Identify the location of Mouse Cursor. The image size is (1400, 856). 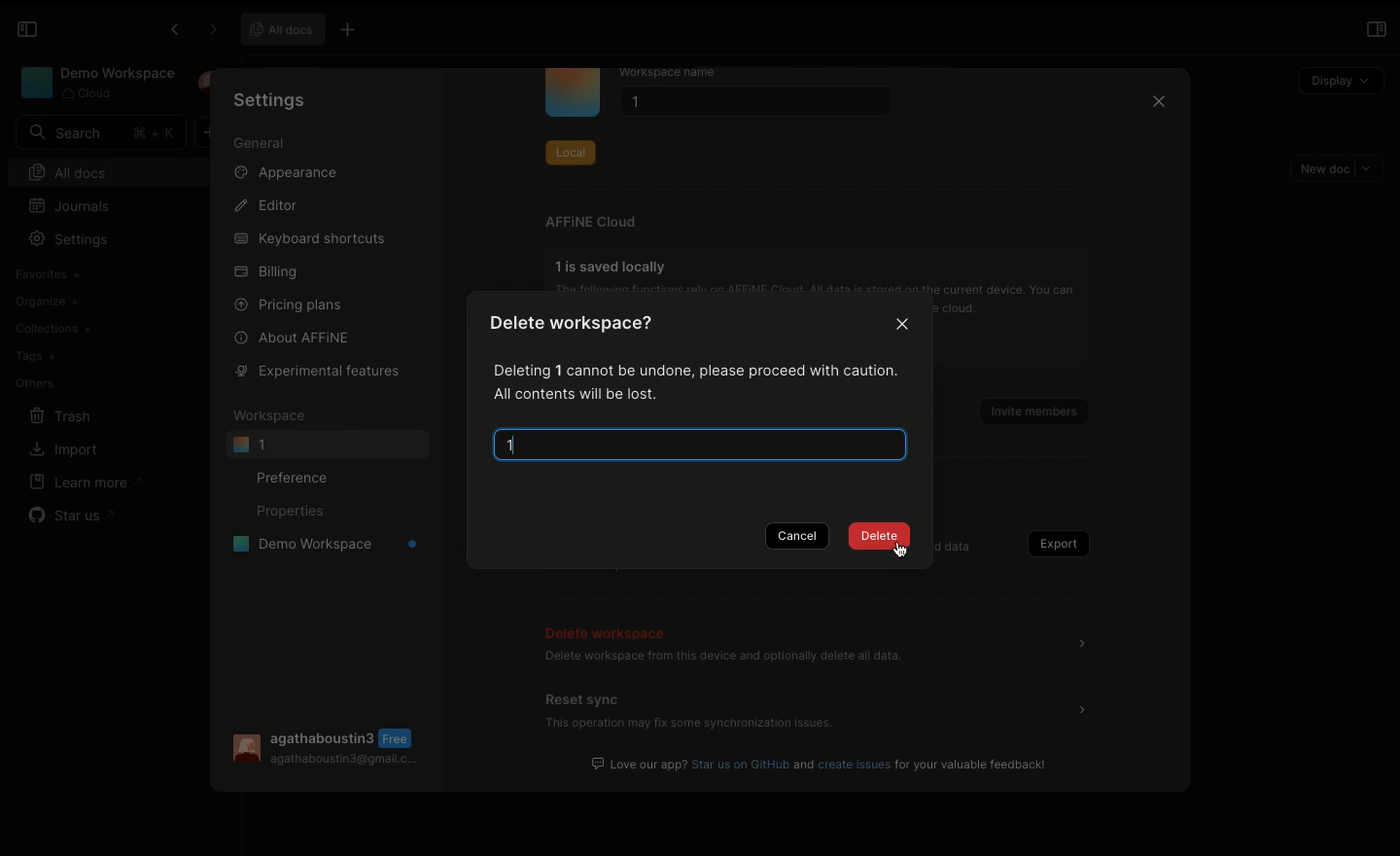
(905, 554).